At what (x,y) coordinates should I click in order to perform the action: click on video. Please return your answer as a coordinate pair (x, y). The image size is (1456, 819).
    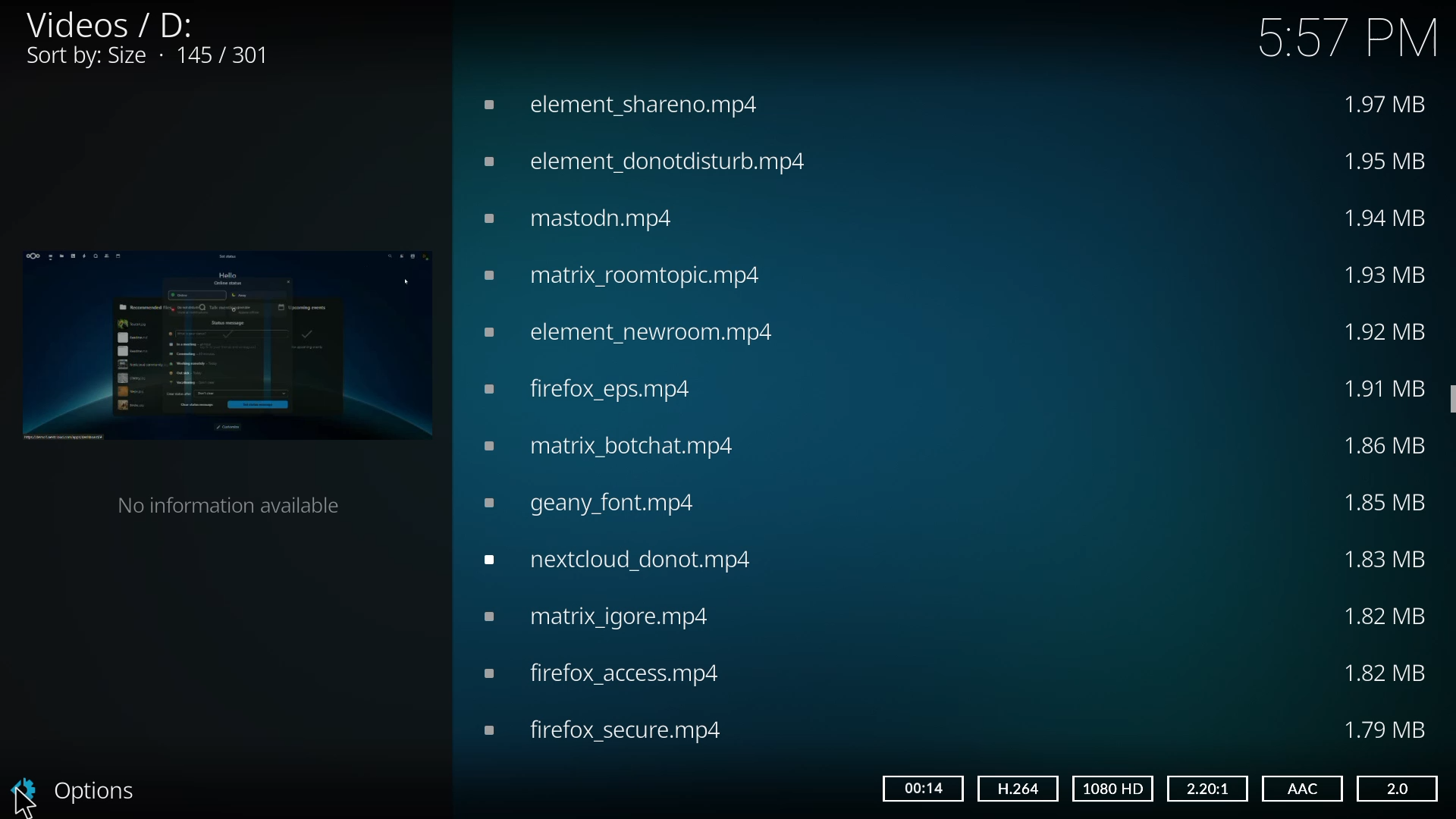
    Looking at the image, I should click on (628, 276).